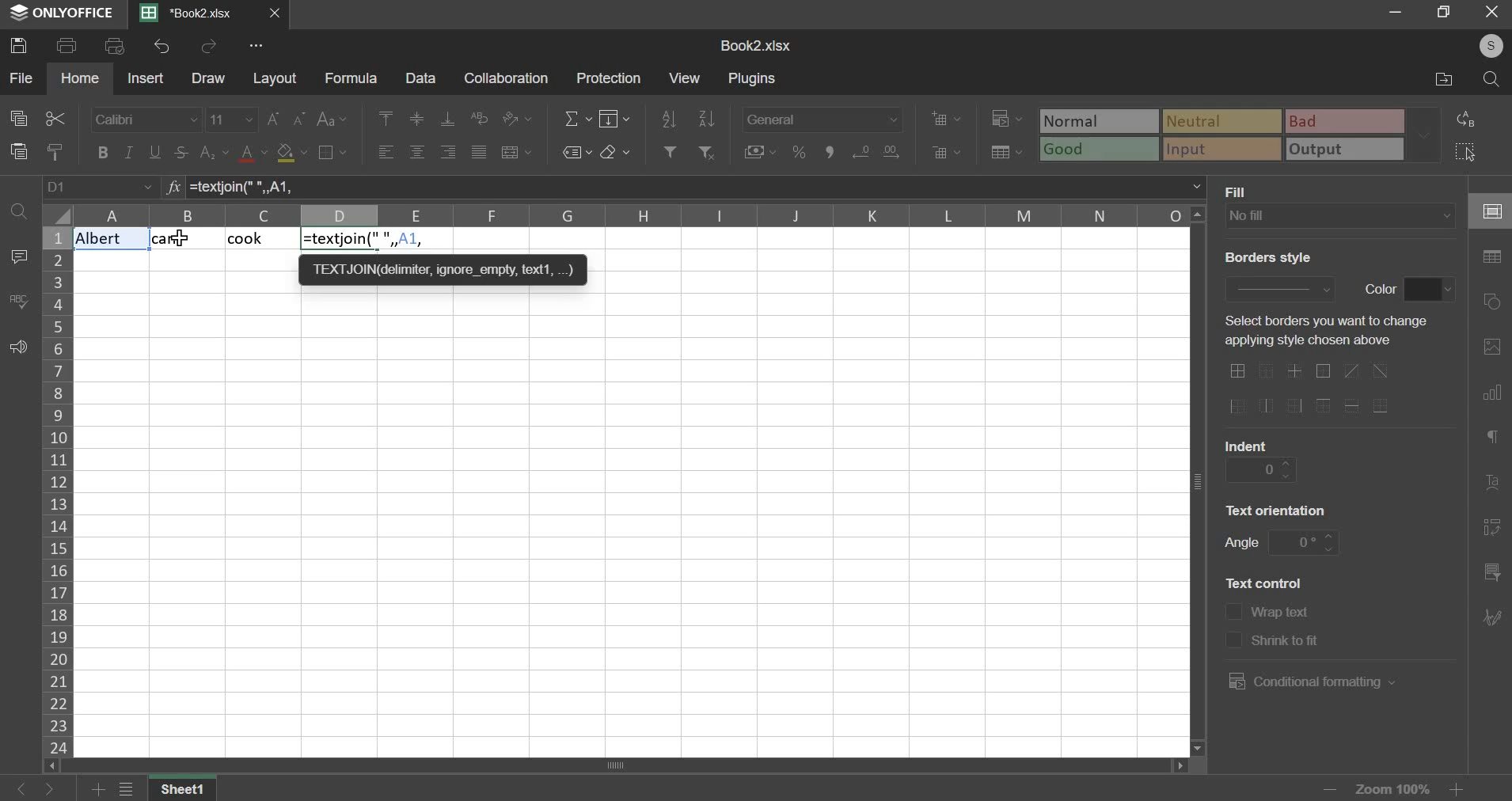 The image size is (1512, 801). What do you see at coordinates (386, 152) in the screenshot?
I see `align left` at bounding box center [386, 152].